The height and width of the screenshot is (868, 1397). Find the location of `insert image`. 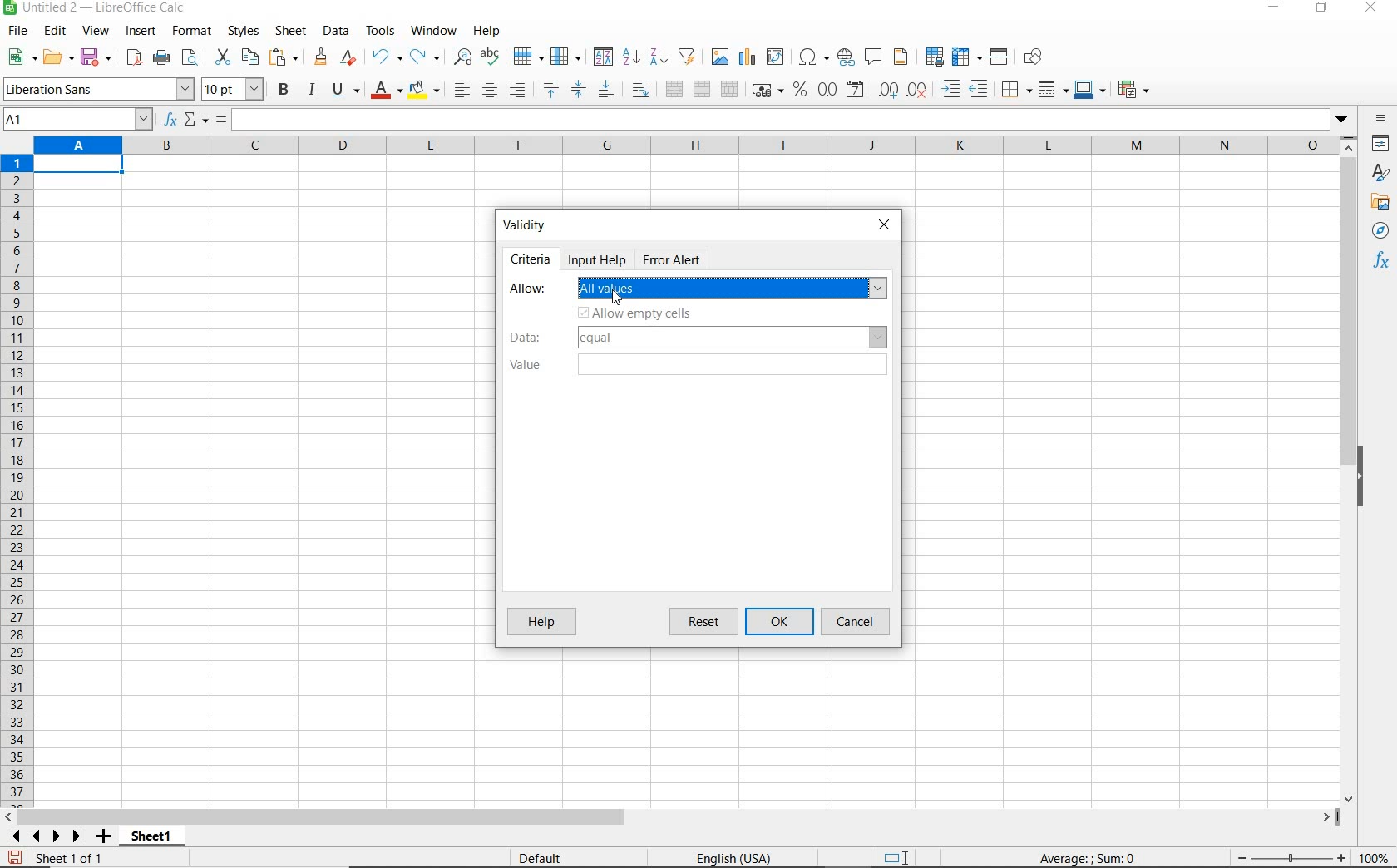

insert image is located at coordinates (722, 57).